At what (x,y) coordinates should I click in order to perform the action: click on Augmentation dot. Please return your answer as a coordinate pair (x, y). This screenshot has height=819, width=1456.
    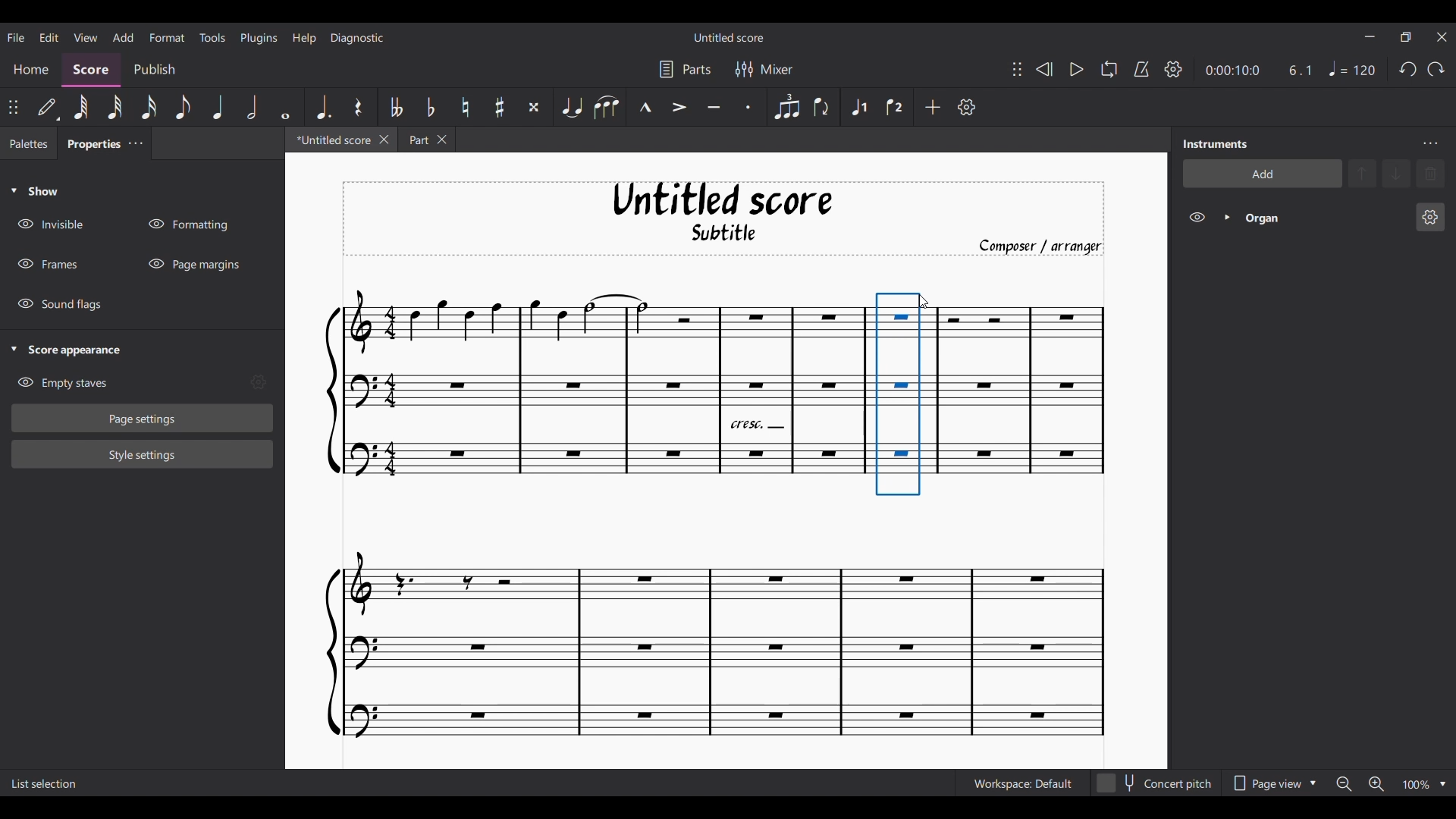
    Looking at the image, I should click on (322, 107).